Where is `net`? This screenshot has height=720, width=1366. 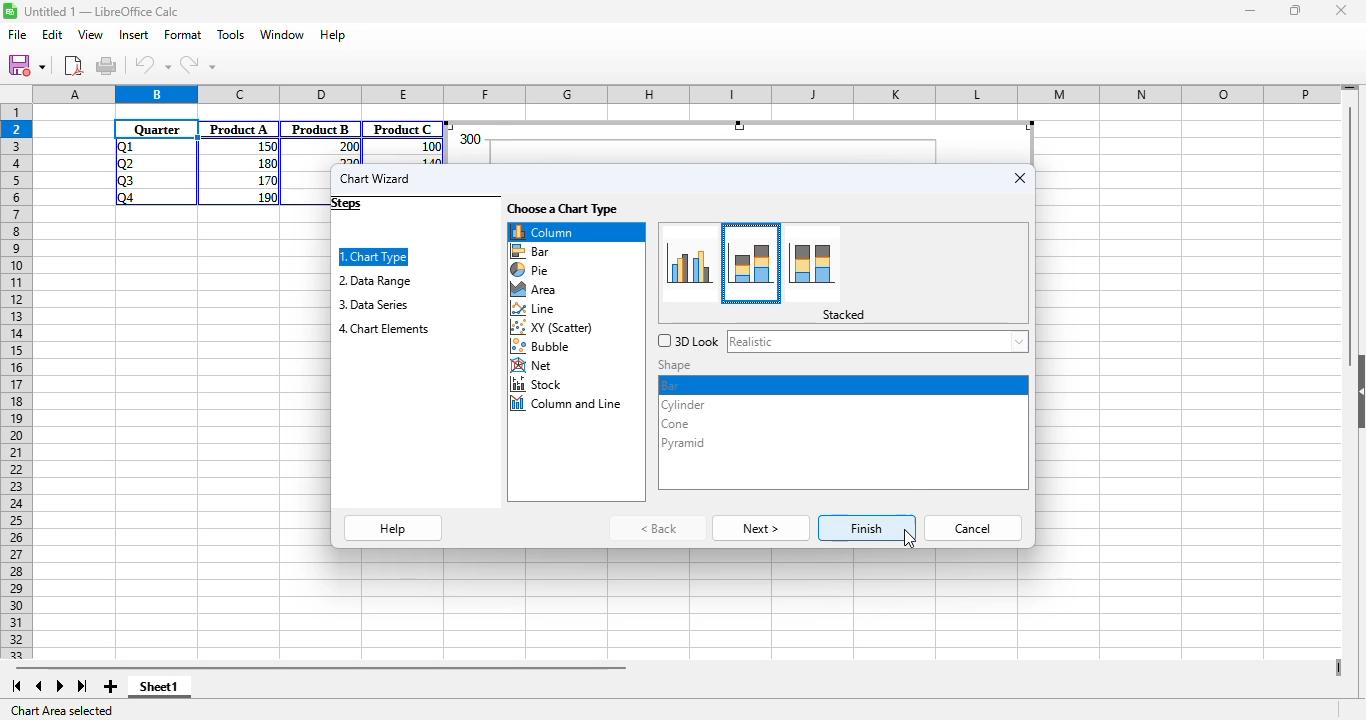 net is located at coordinates (533, 366).